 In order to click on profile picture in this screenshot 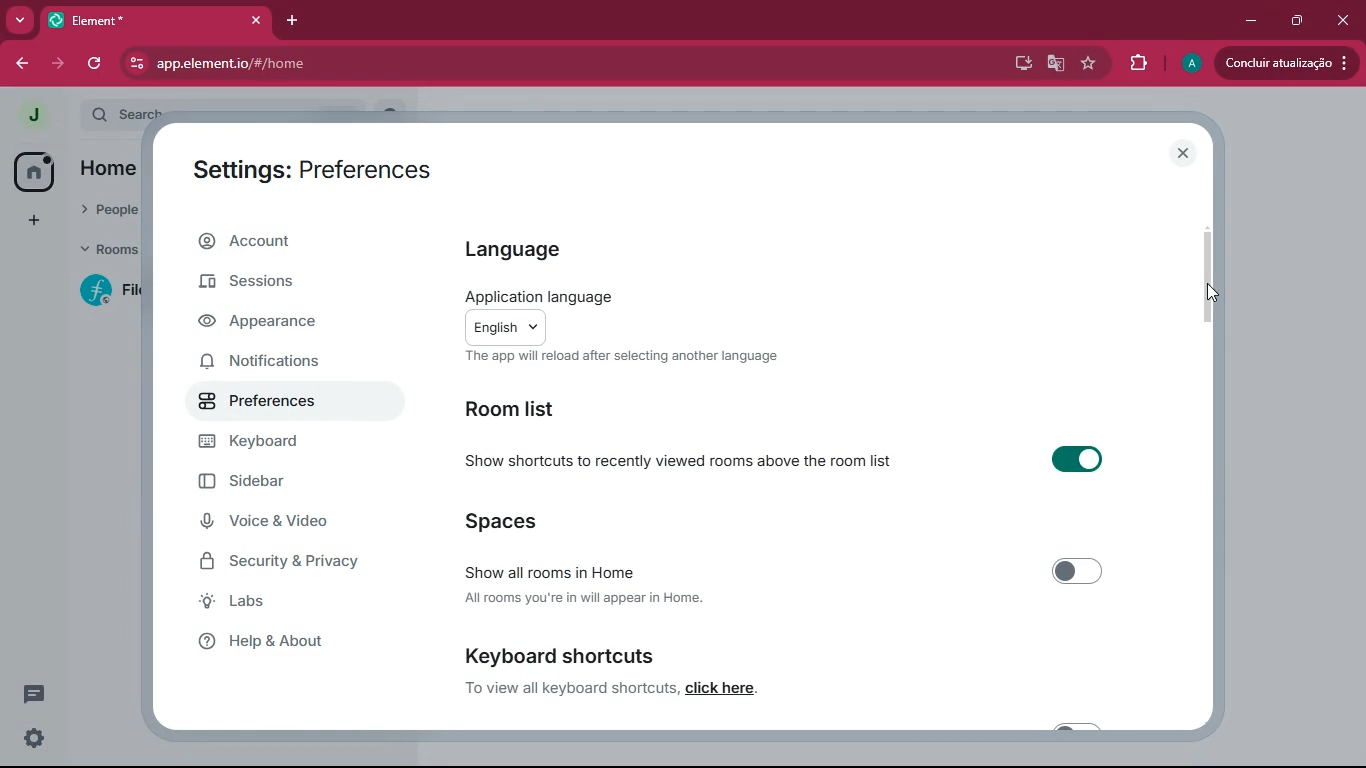, I will do `click(1190, 64)`.